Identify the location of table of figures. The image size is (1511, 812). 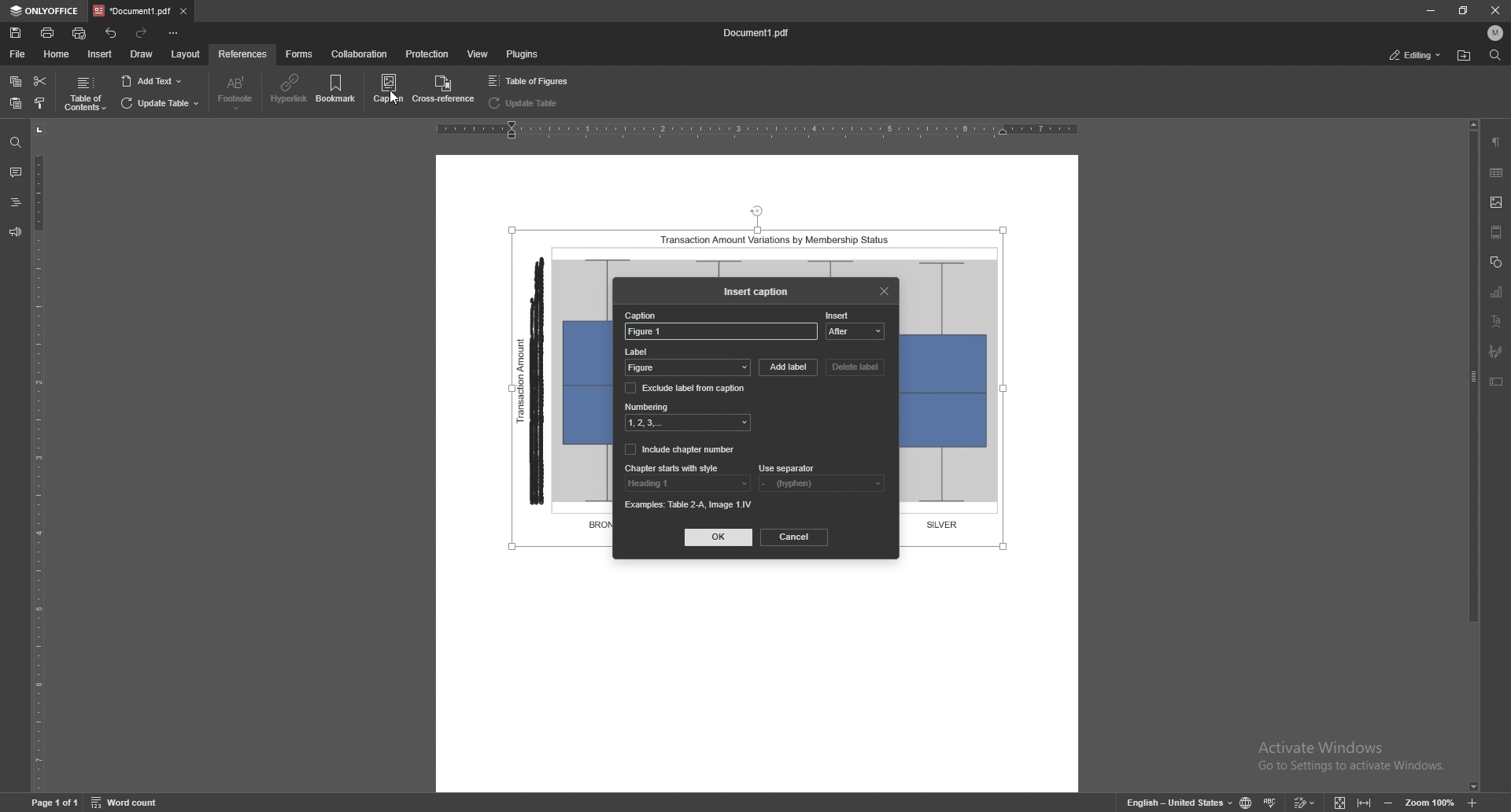
(532, 81).